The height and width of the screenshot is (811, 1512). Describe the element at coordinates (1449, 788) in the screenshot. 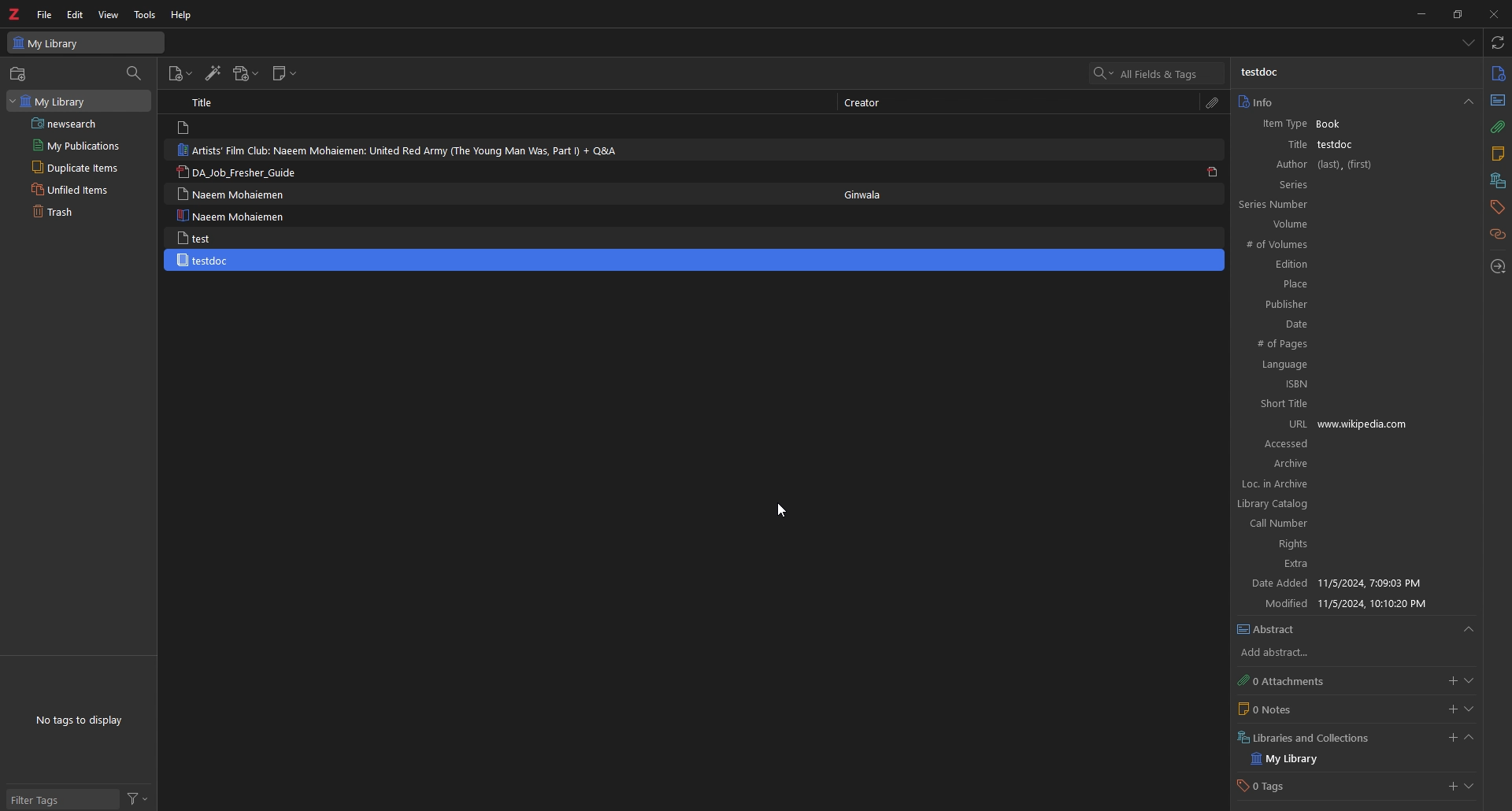

I see `add tags` at that location.